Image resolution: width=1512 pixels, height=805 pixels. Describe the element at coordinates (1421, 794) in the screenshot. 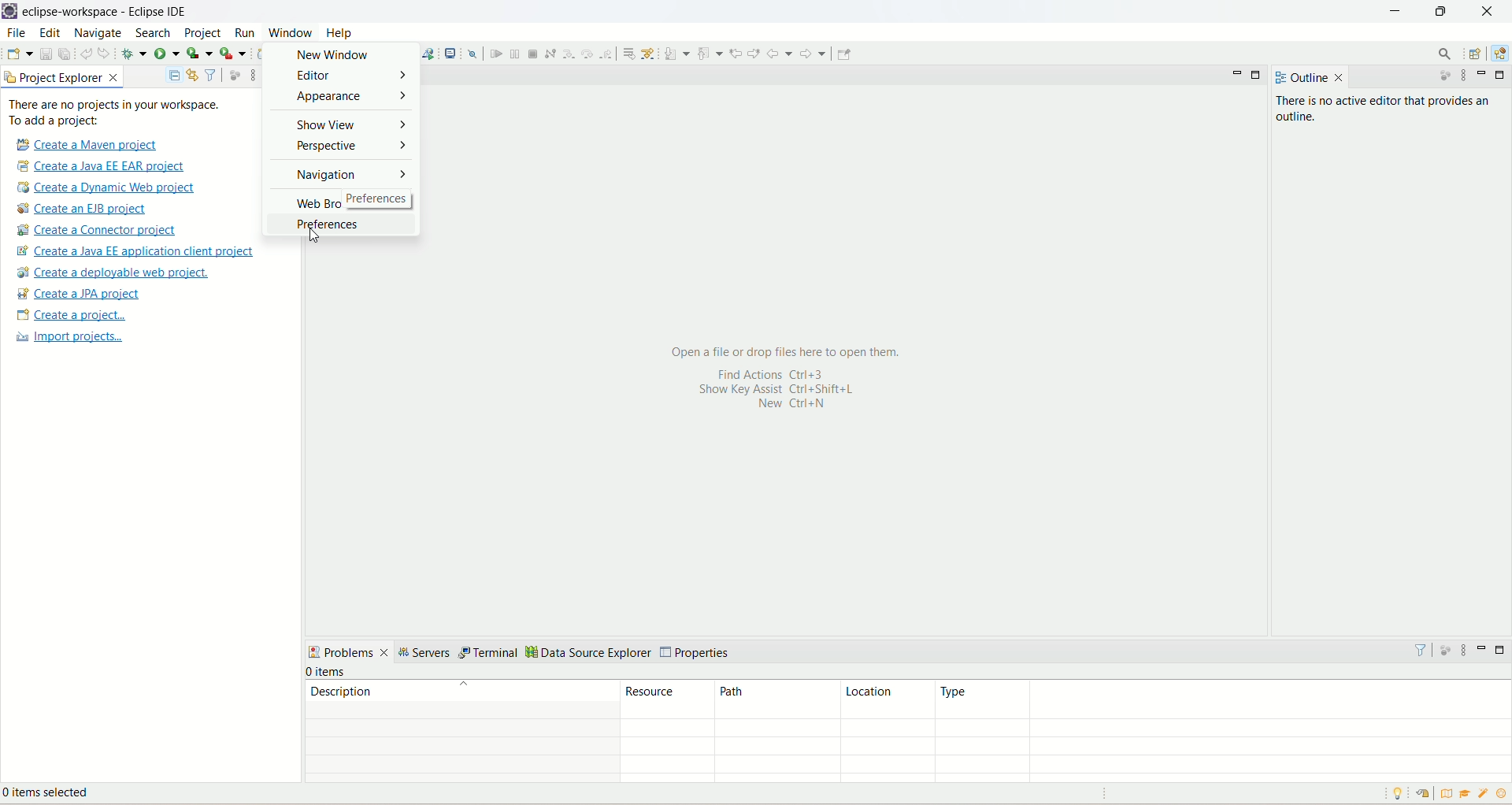

I see `restore welcome` at that location.